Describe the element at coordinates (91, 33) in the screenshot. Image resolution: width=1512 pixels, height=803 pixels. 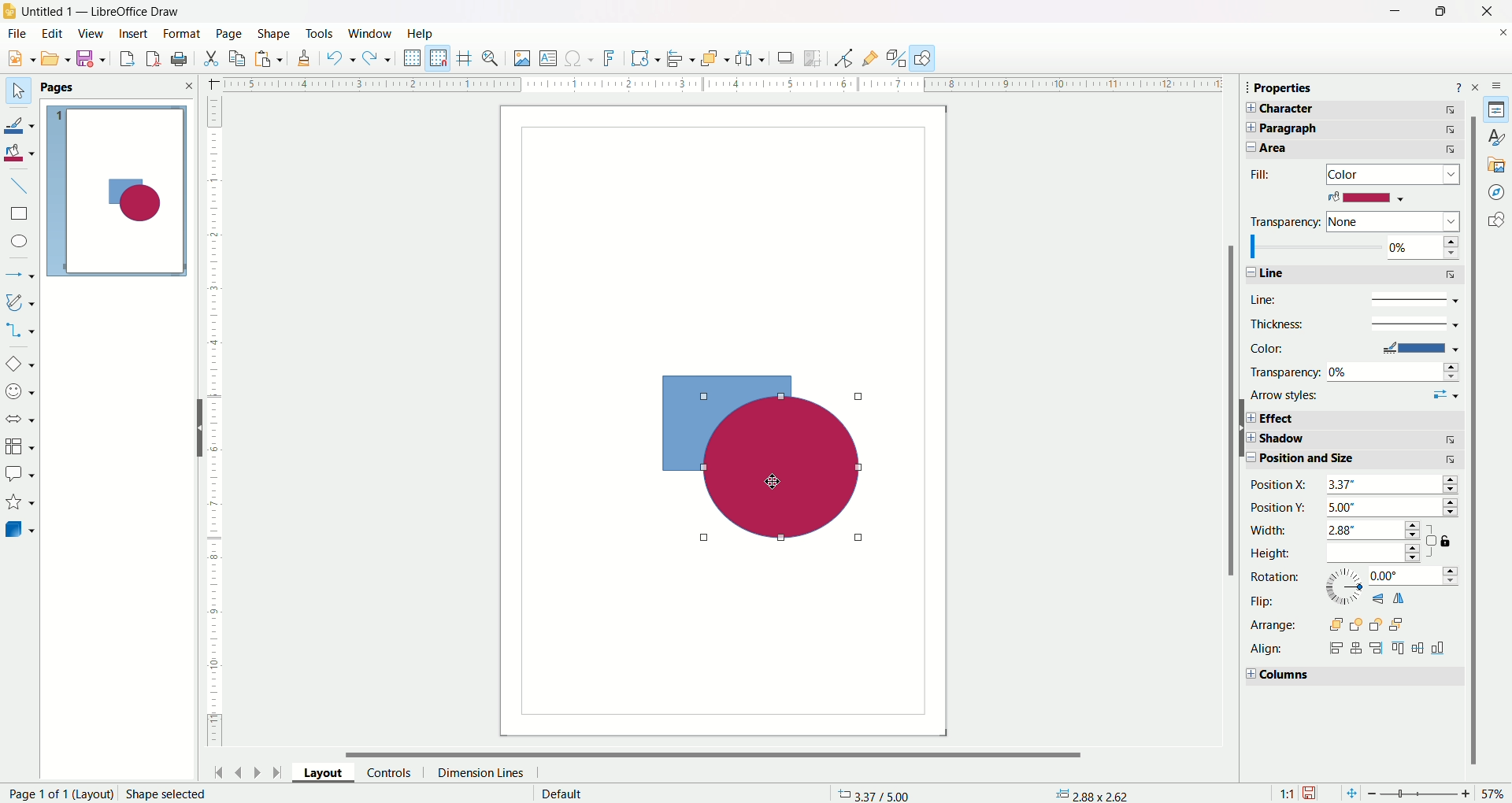
I see `view` at that location.